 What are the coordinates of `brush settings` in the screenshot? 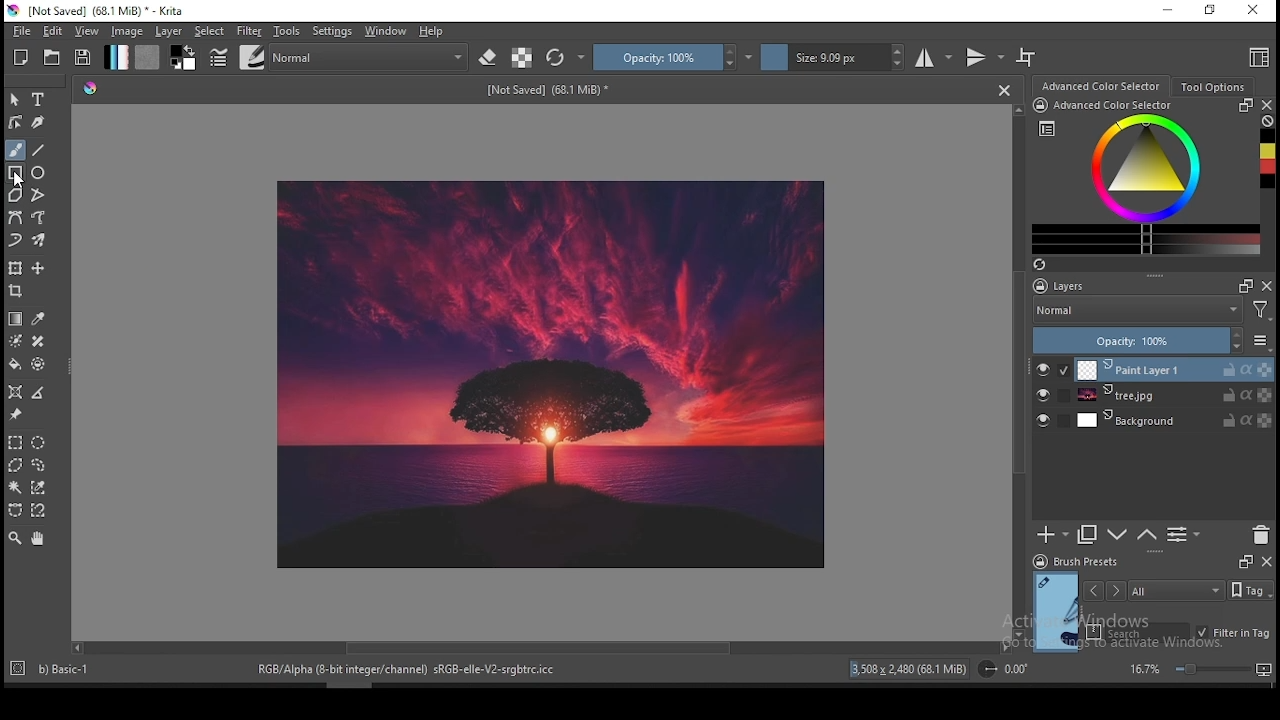 It's located at (217, 56).